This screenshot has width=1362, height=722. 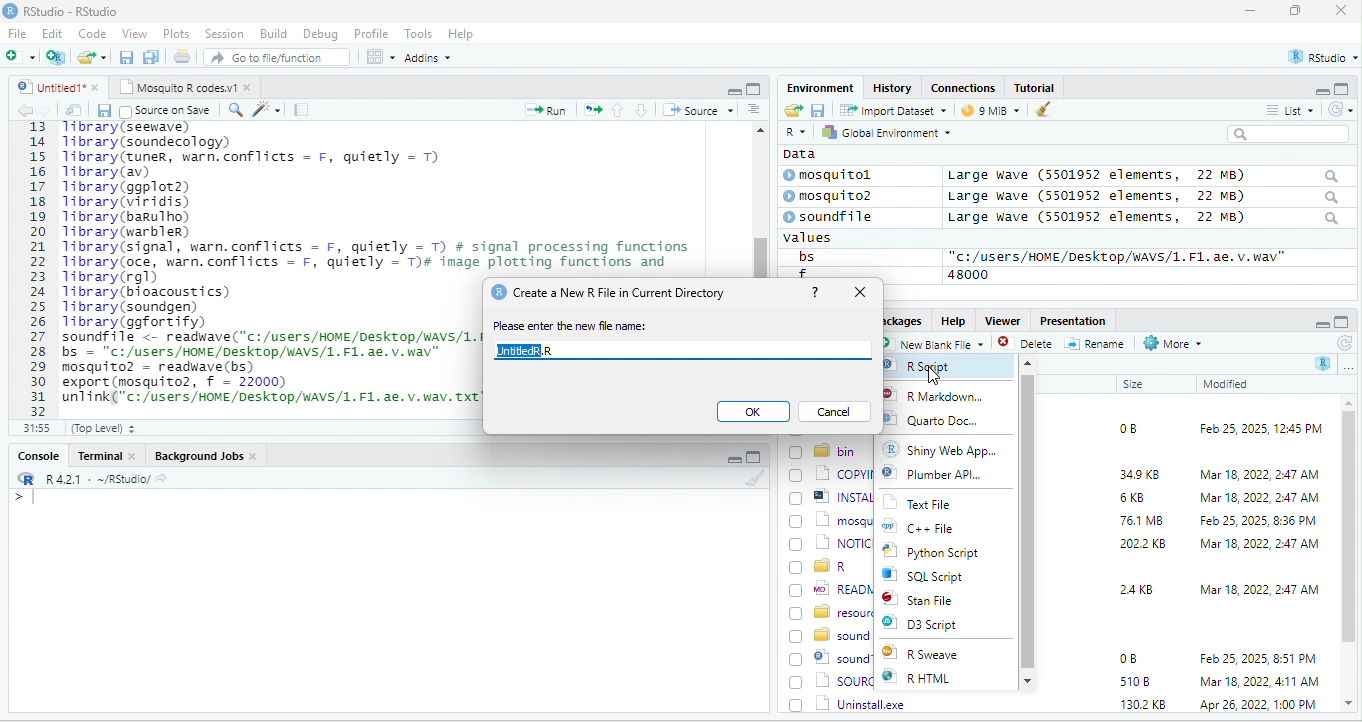 What do you see at coordinates (380, 57) in the screenshot?
I see `view` at bounding box center [380, 57].